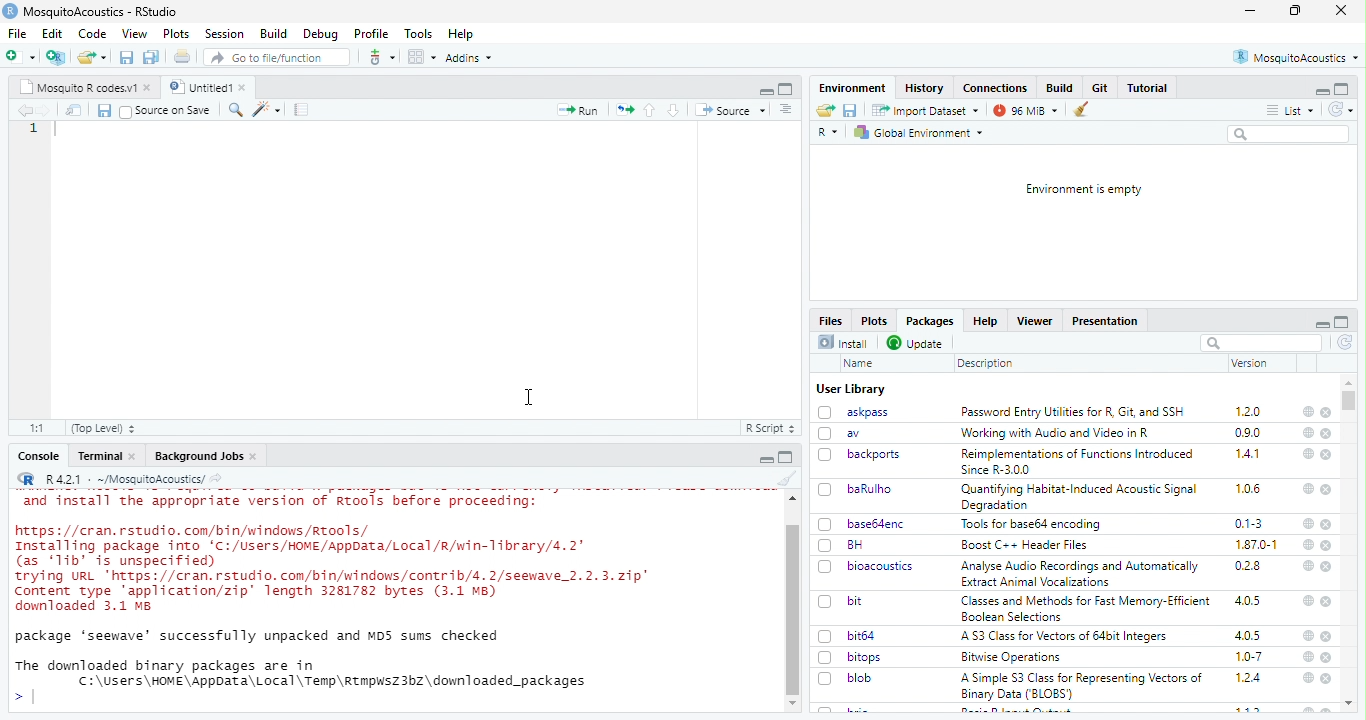 Image resolution: width=1366 pixels, height=720 pixels. What do you see at coordinates (1148, 88) in the screenshot?
I see `Tutorial` at bounding box center [1148, 88].